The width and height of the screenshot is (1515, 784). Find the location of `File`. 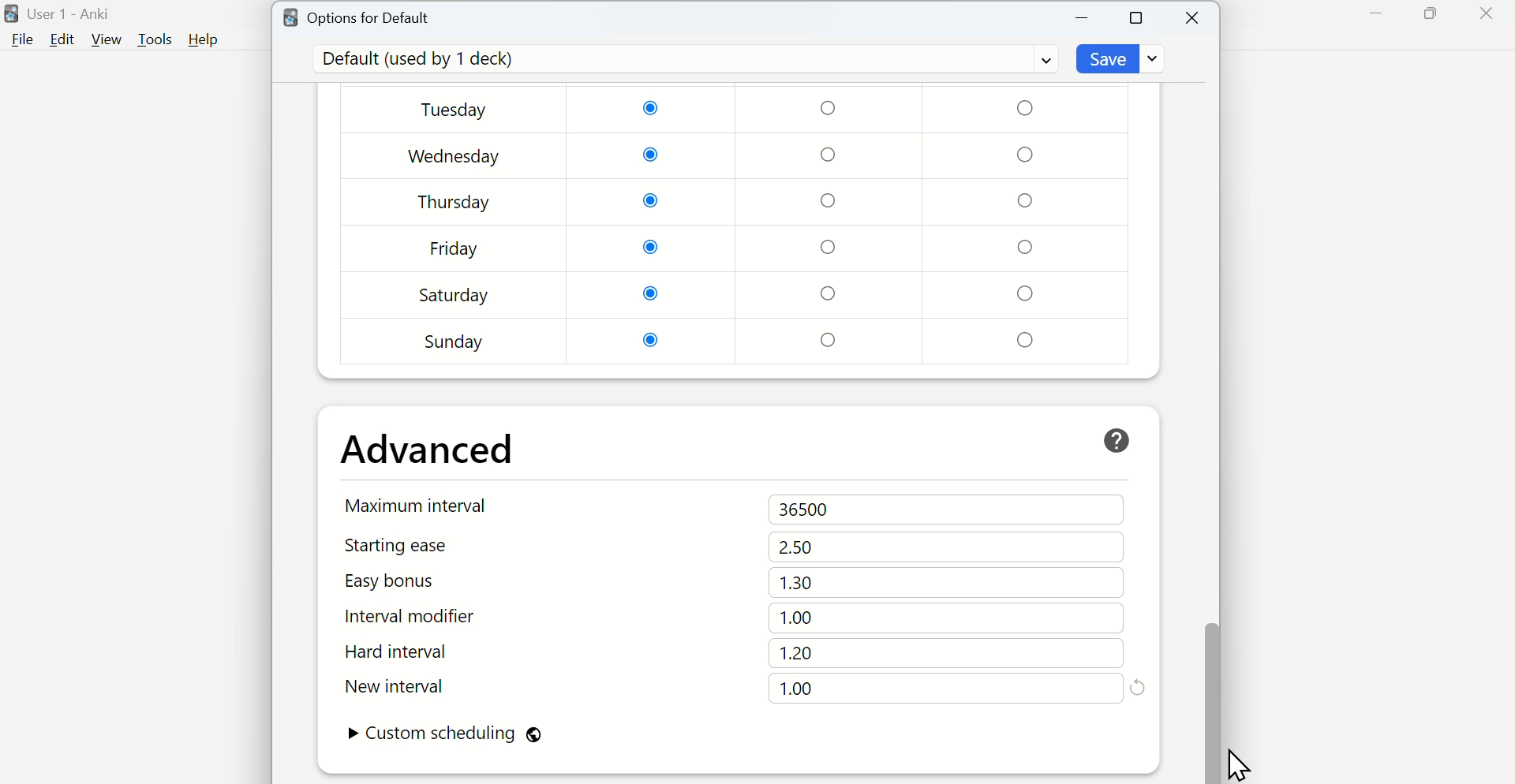

File is located at coordinates (20, 40).